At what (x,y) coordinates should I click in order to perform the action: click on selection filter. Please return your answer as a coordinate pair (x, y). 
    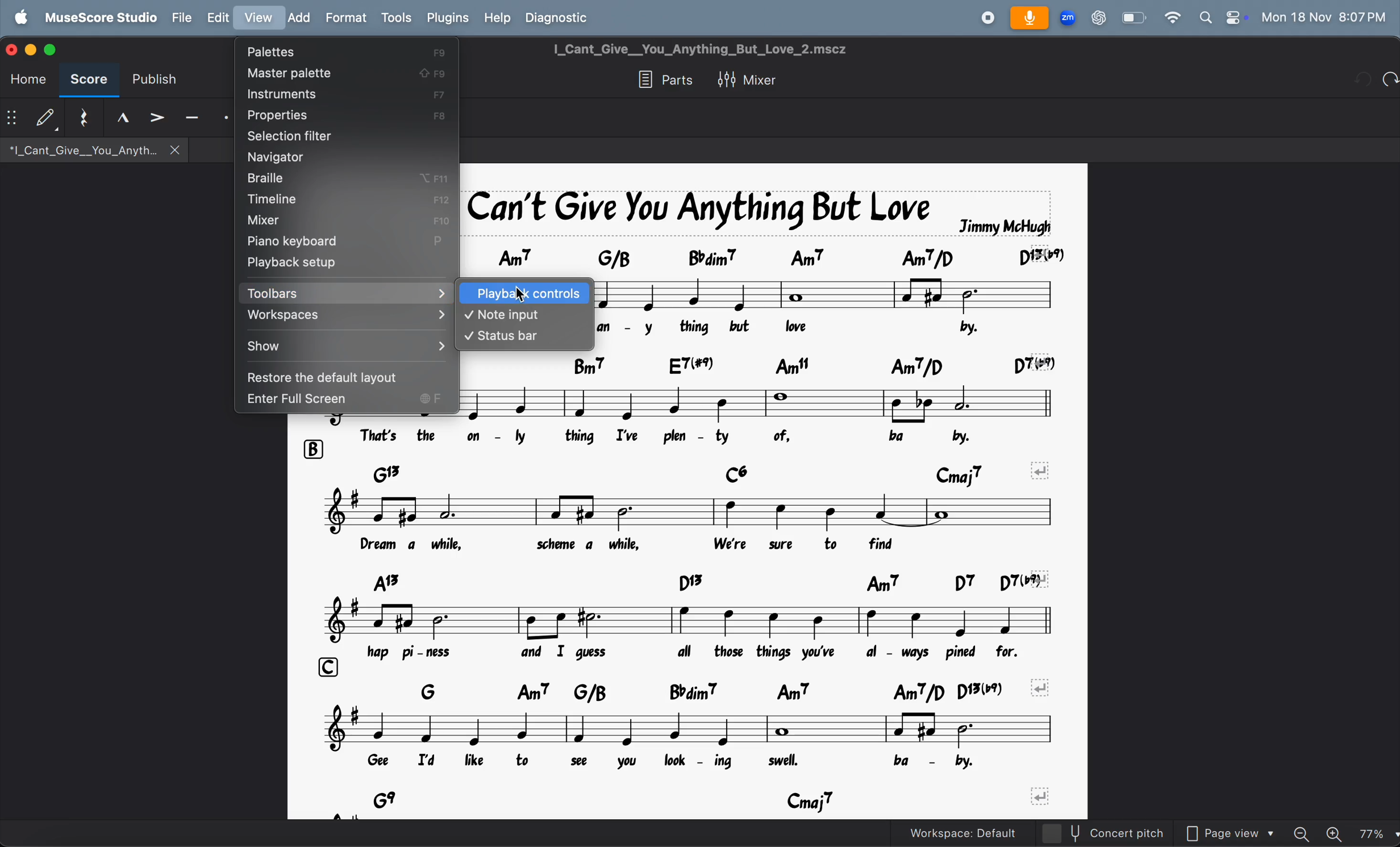
    Looking at the image, I should click on (351, 137).